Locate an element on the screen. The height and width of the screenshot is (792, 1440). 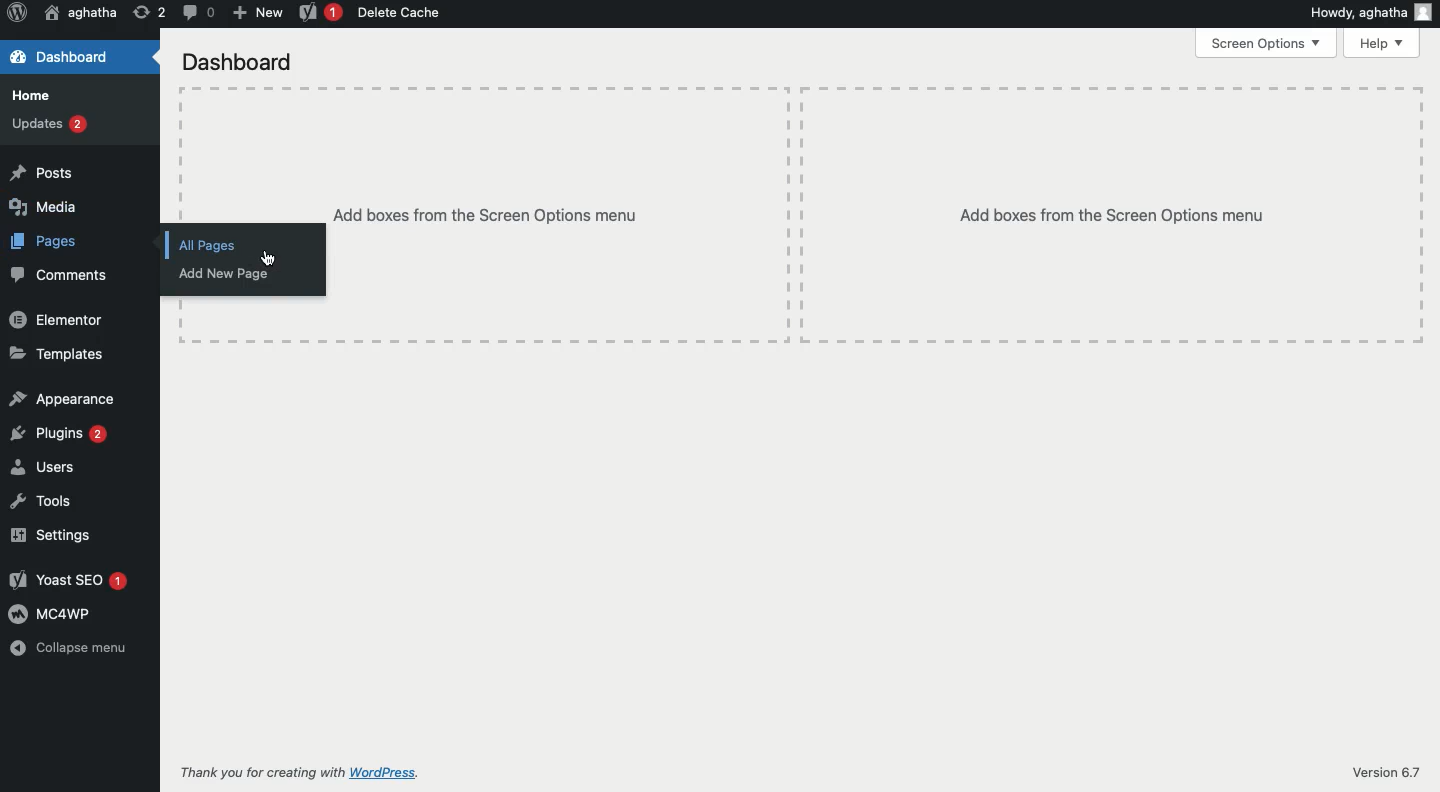
Yoast is located at coordinates (68, 581).